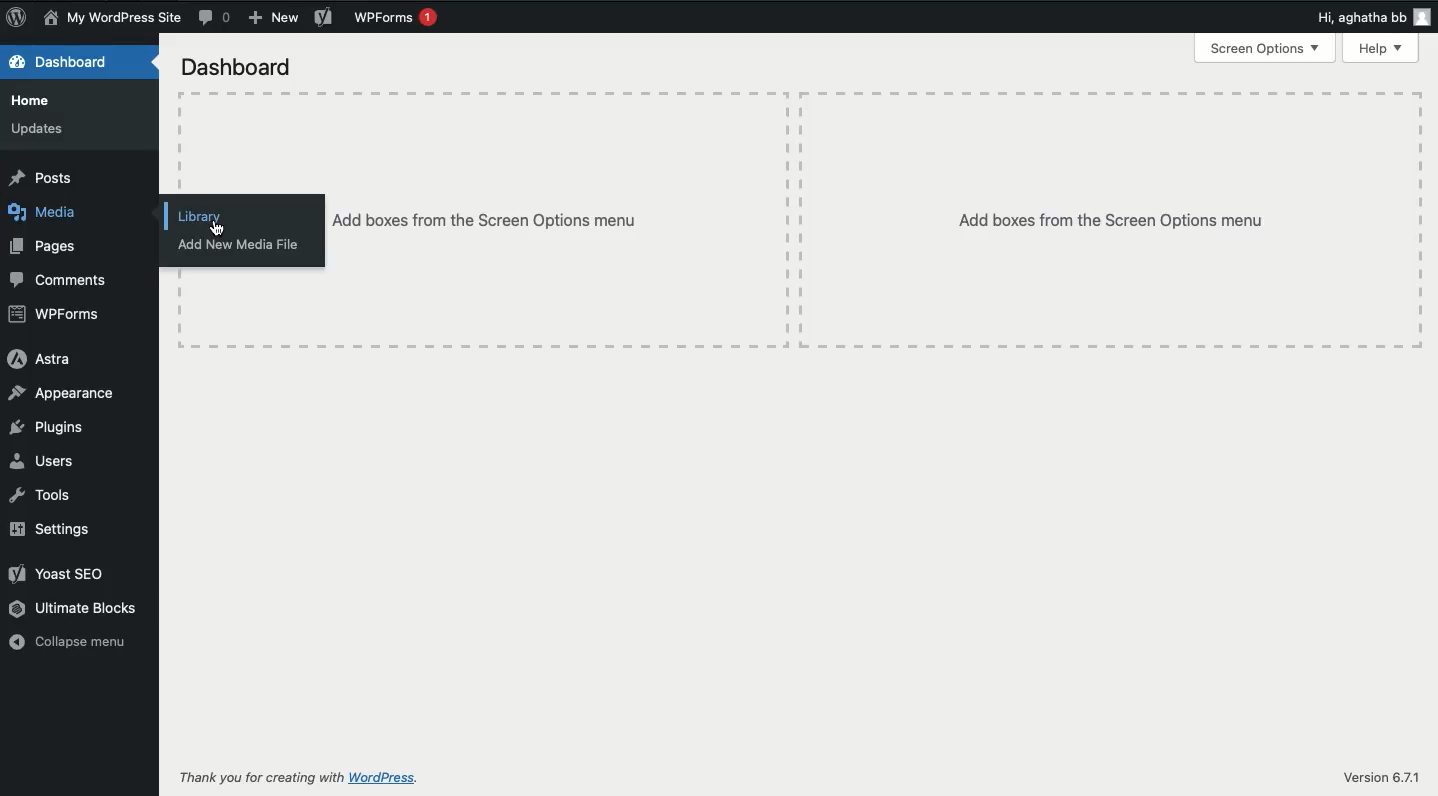  What do you see at coordinates (216, 17) in the screenshot?
I see `Comments` at bounding box center [216, 17].